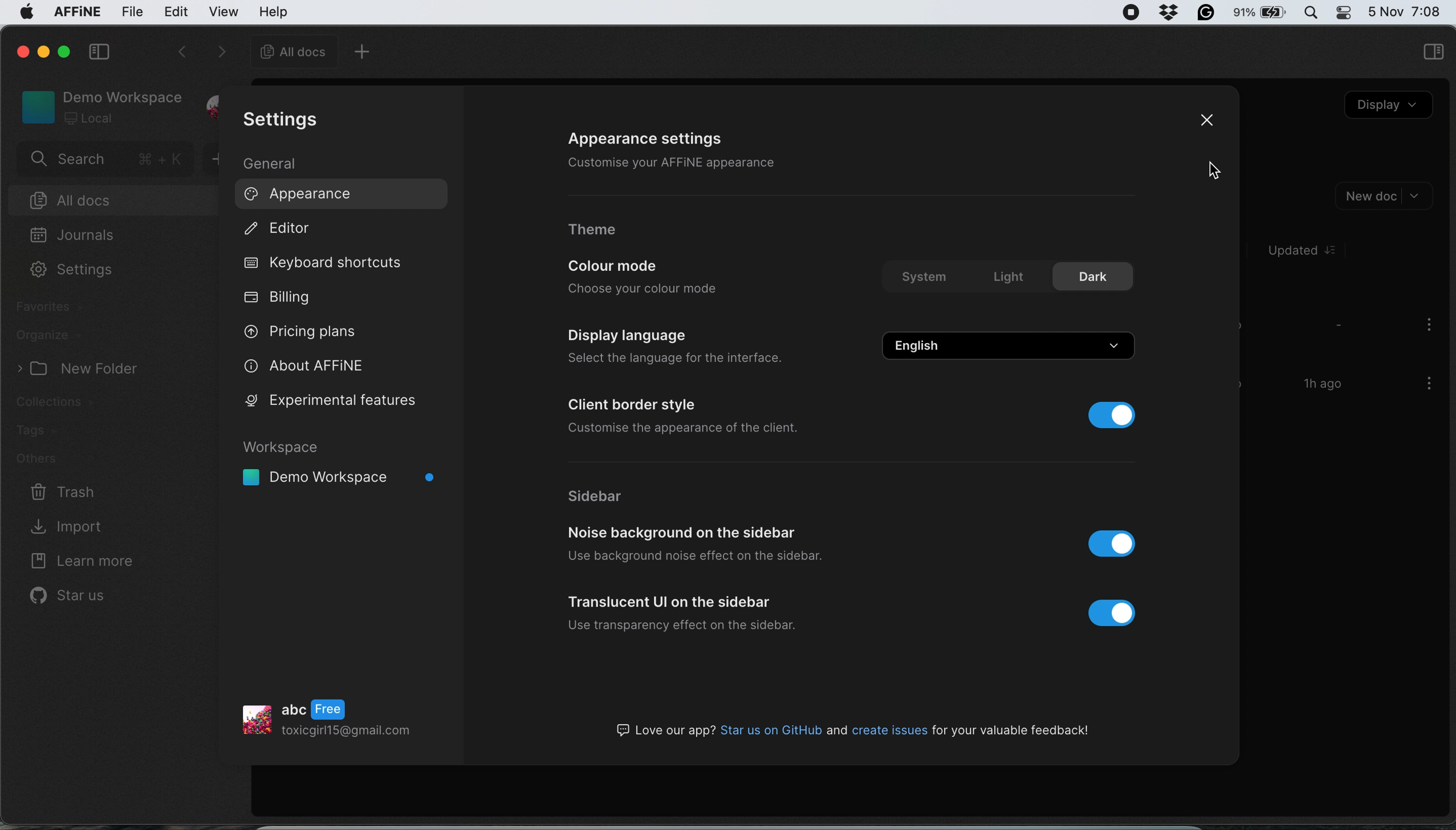  What do you see at coordinates (294, 53) in the screenshot?
I see `all docs` at bounding box center [294, 53].